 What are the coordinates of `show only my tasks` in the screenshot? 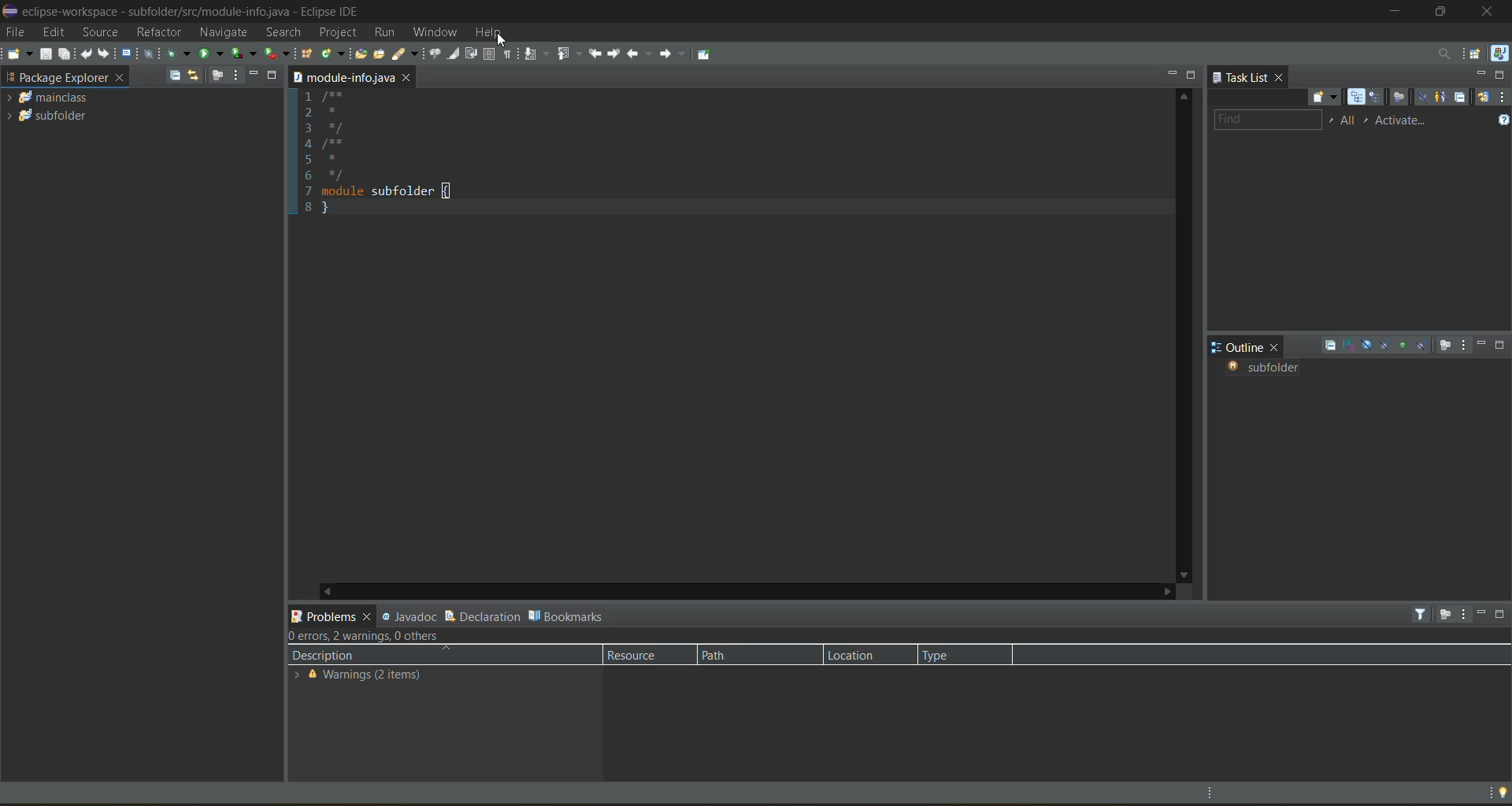 It's located at (1443, 96).